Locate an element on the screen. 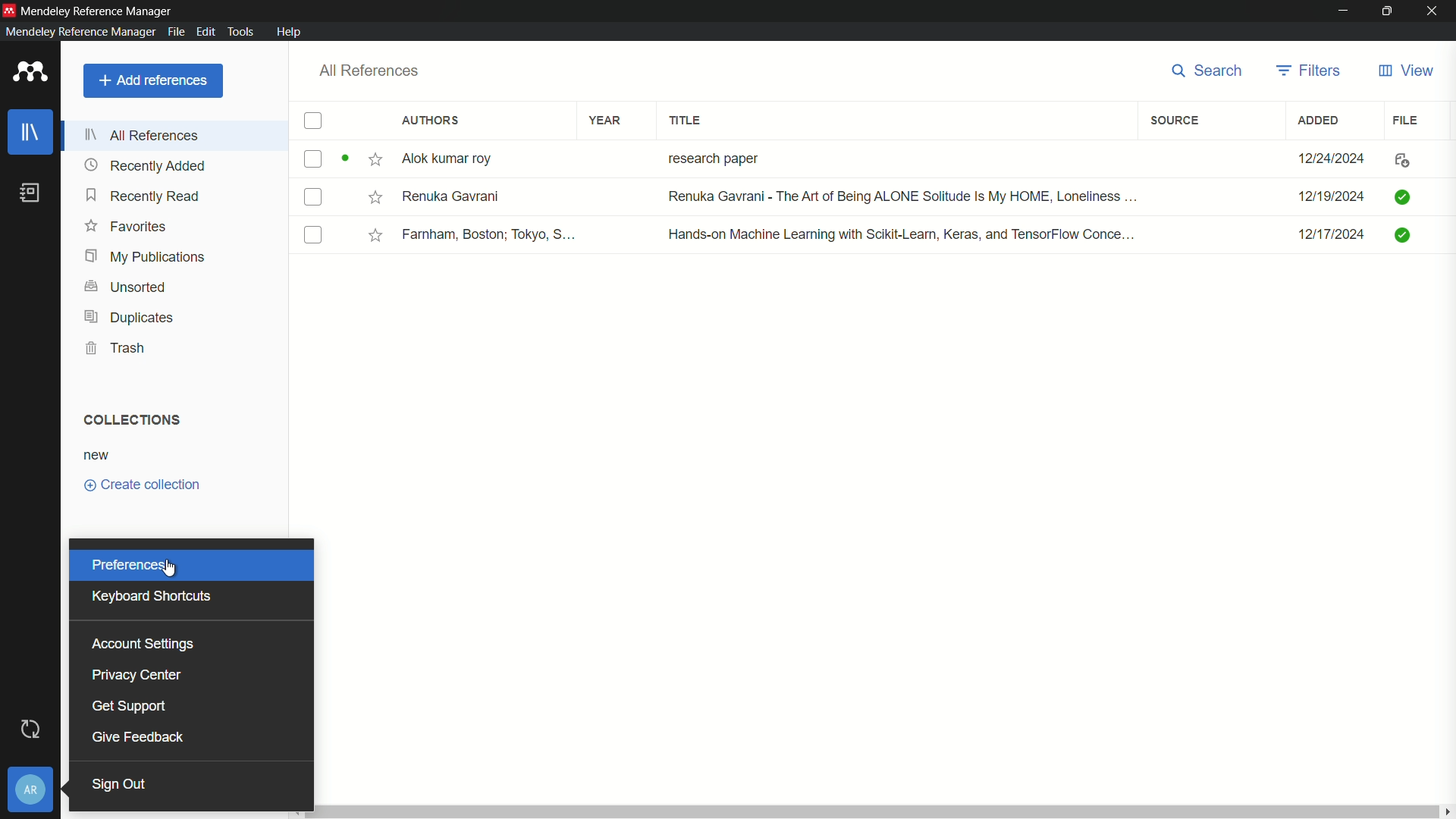 This screenshot has height=819, width=1456. title is located at coordinates (686, 121).